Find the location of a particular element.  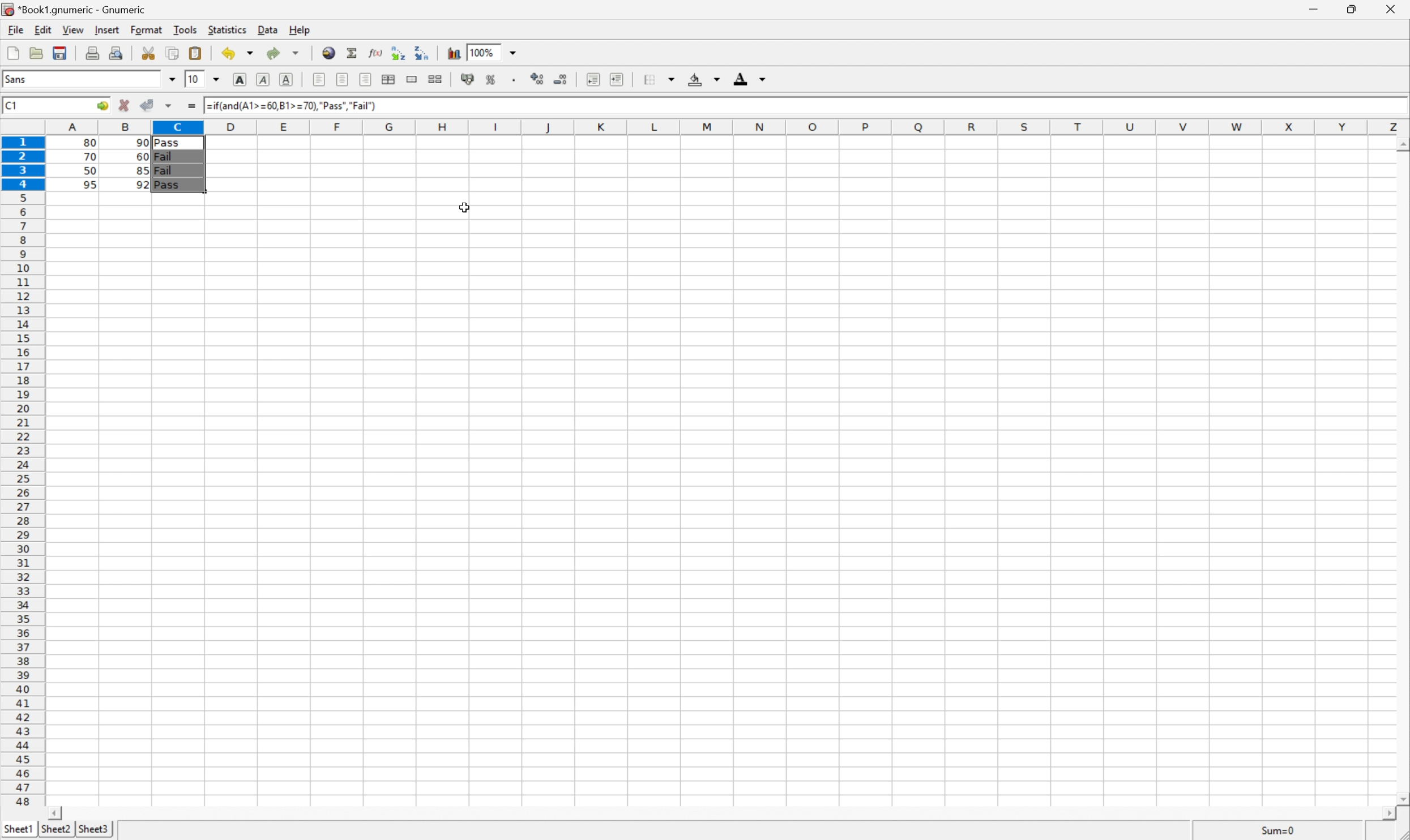

Sheet3 is located at coordinates (93, 829).